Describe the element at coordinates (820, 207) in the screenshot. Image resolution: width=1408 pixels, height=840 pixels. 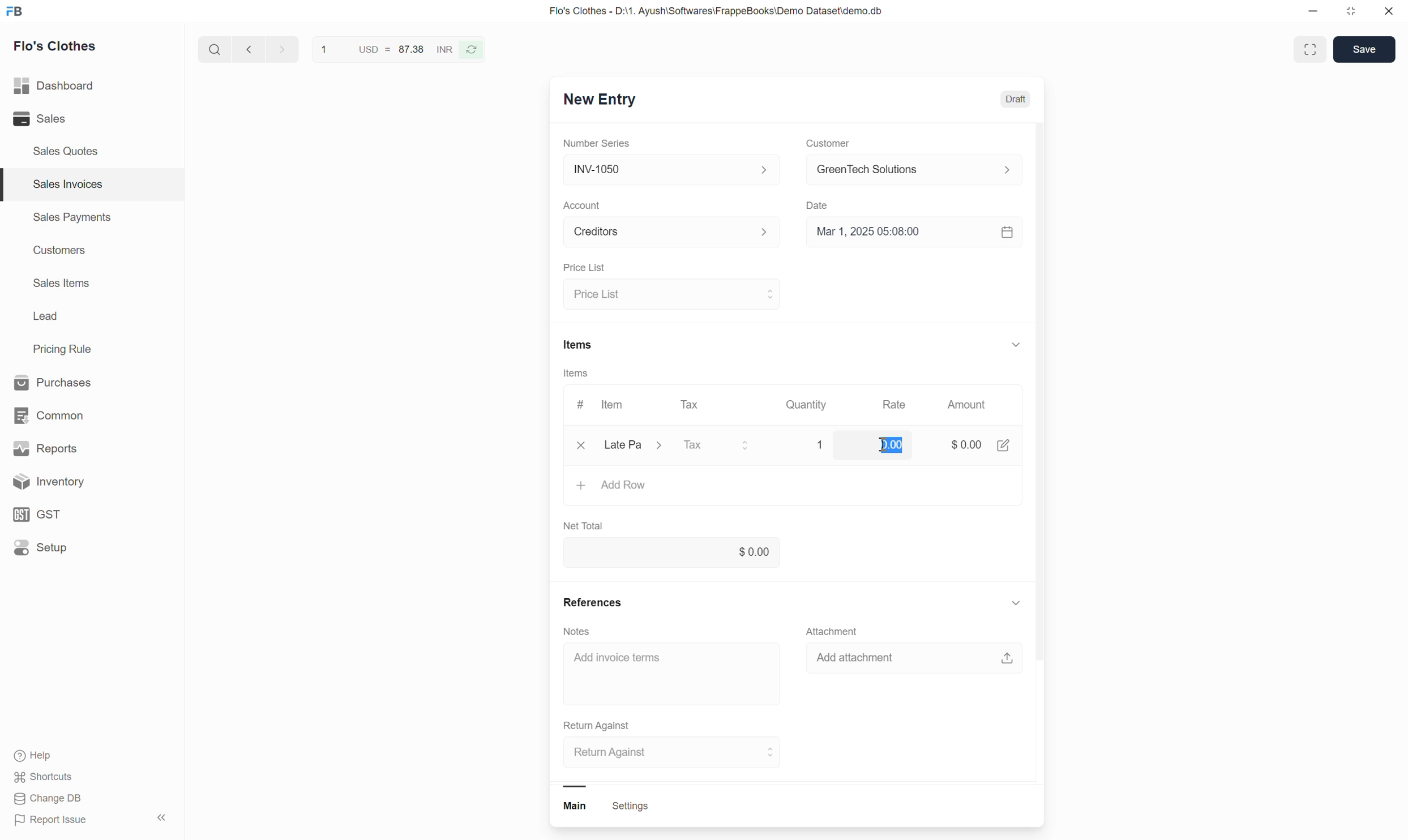
I see `Date` at that location.